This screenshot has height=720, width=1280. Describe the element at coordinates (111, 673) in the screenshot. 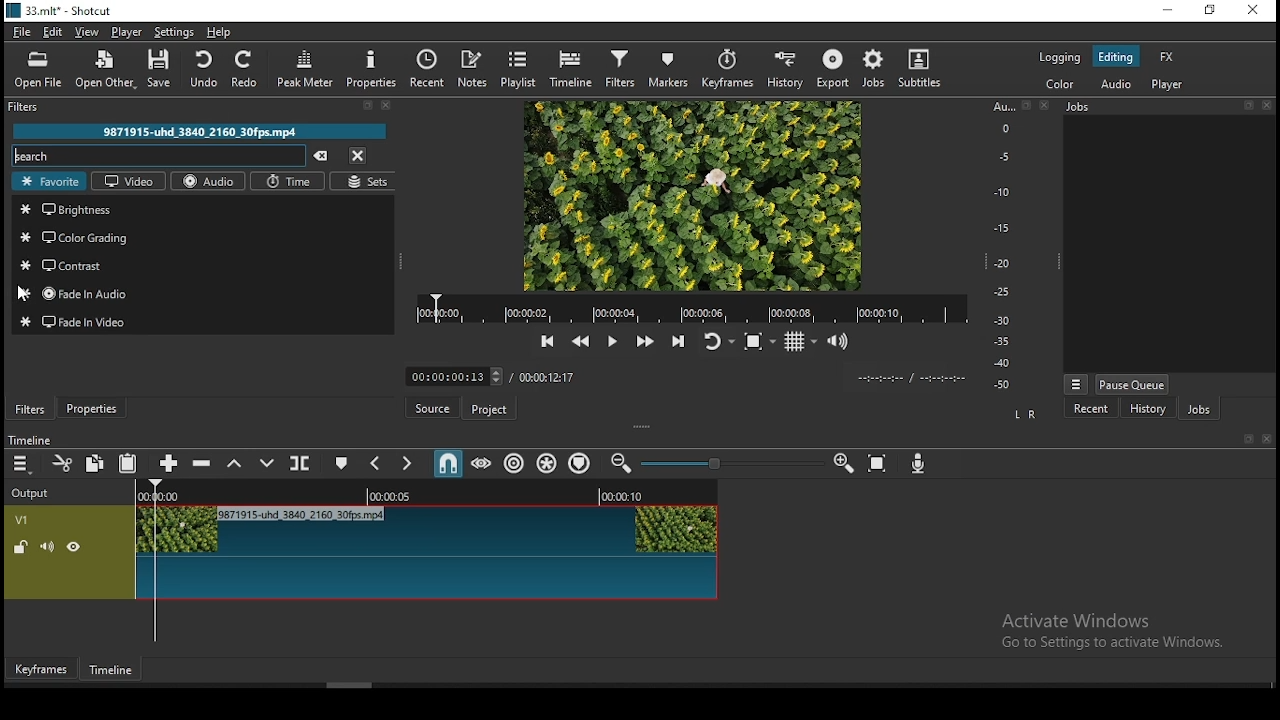

I see `timeline` at that location.